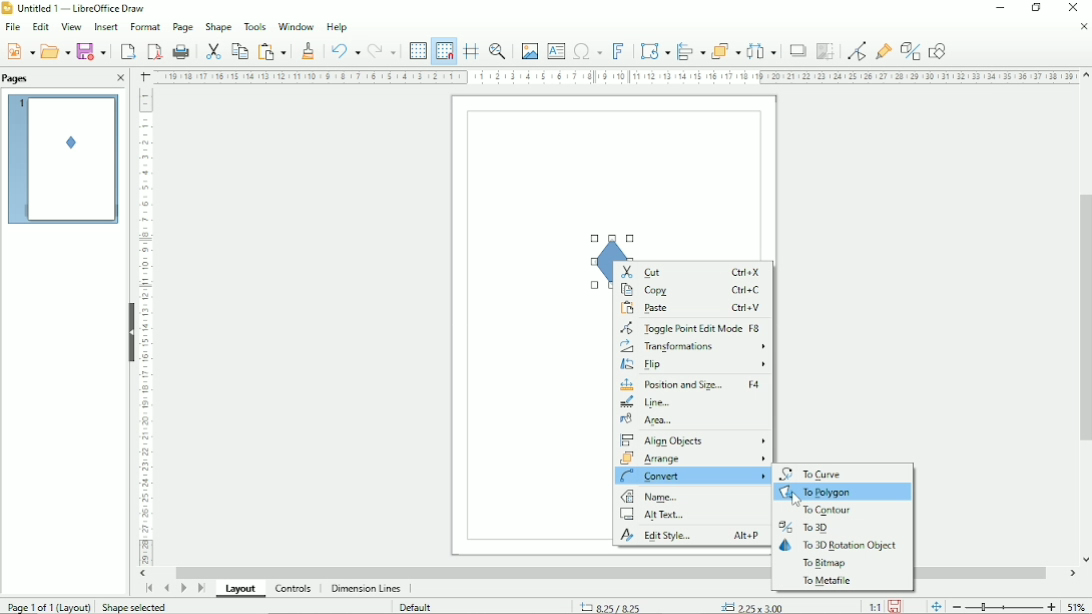 This screenshot has height=614, width=1092. Describe the element at coordinates (166, 588) in the screenshot. I see `Scroll to previous page` at that location.